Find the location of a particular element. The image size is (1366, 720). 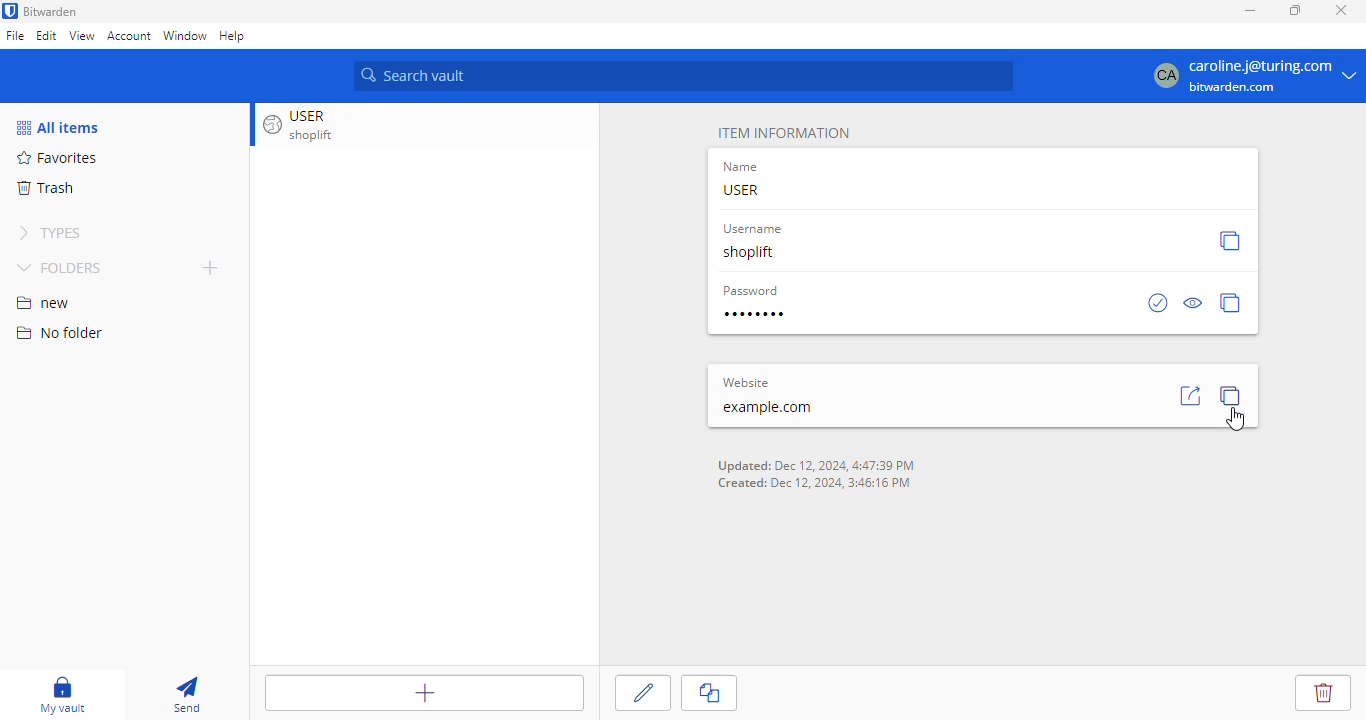

copy password is located at coordinates (1230, 302).